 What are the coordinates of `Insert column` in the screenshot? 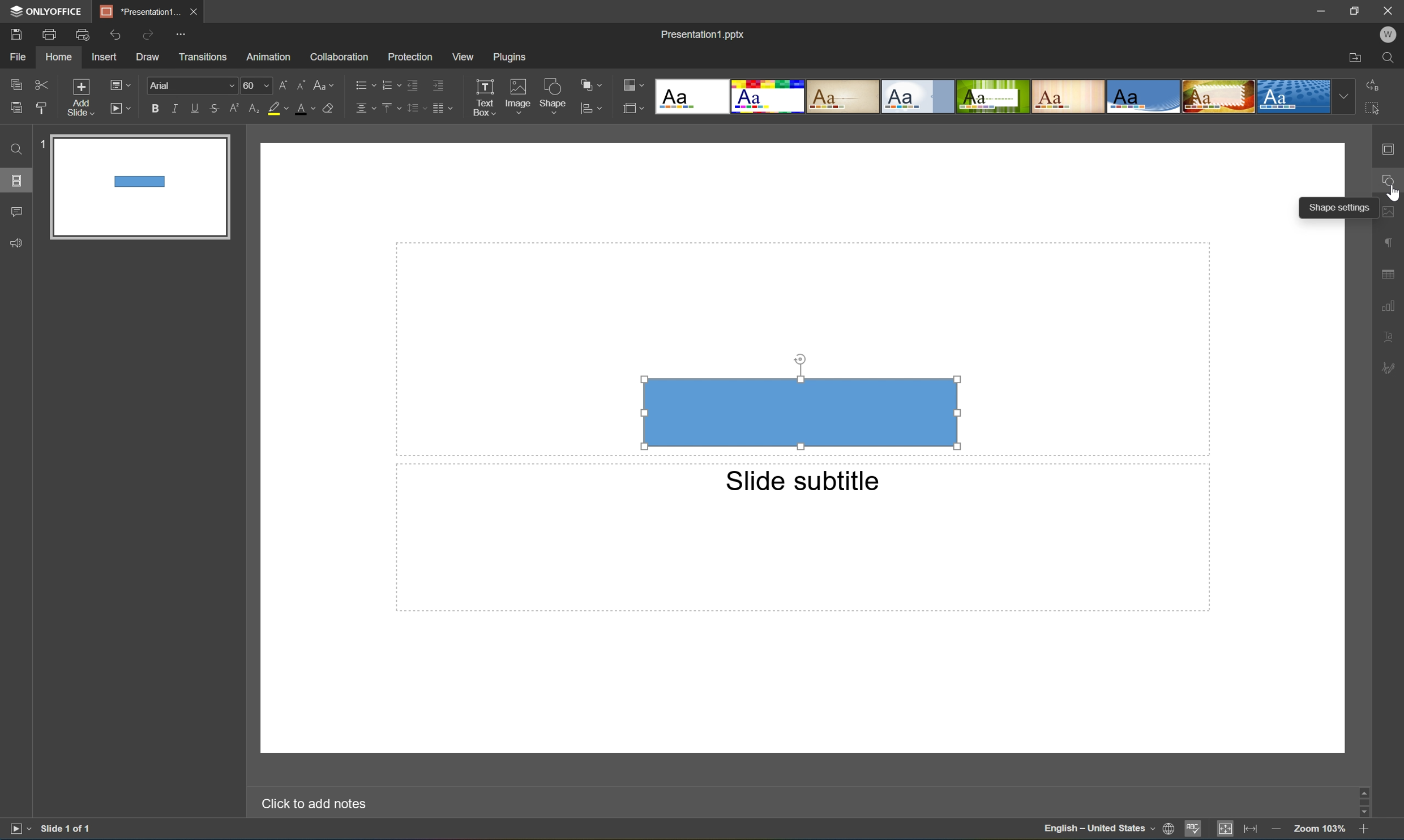 It's located at (446, 108).